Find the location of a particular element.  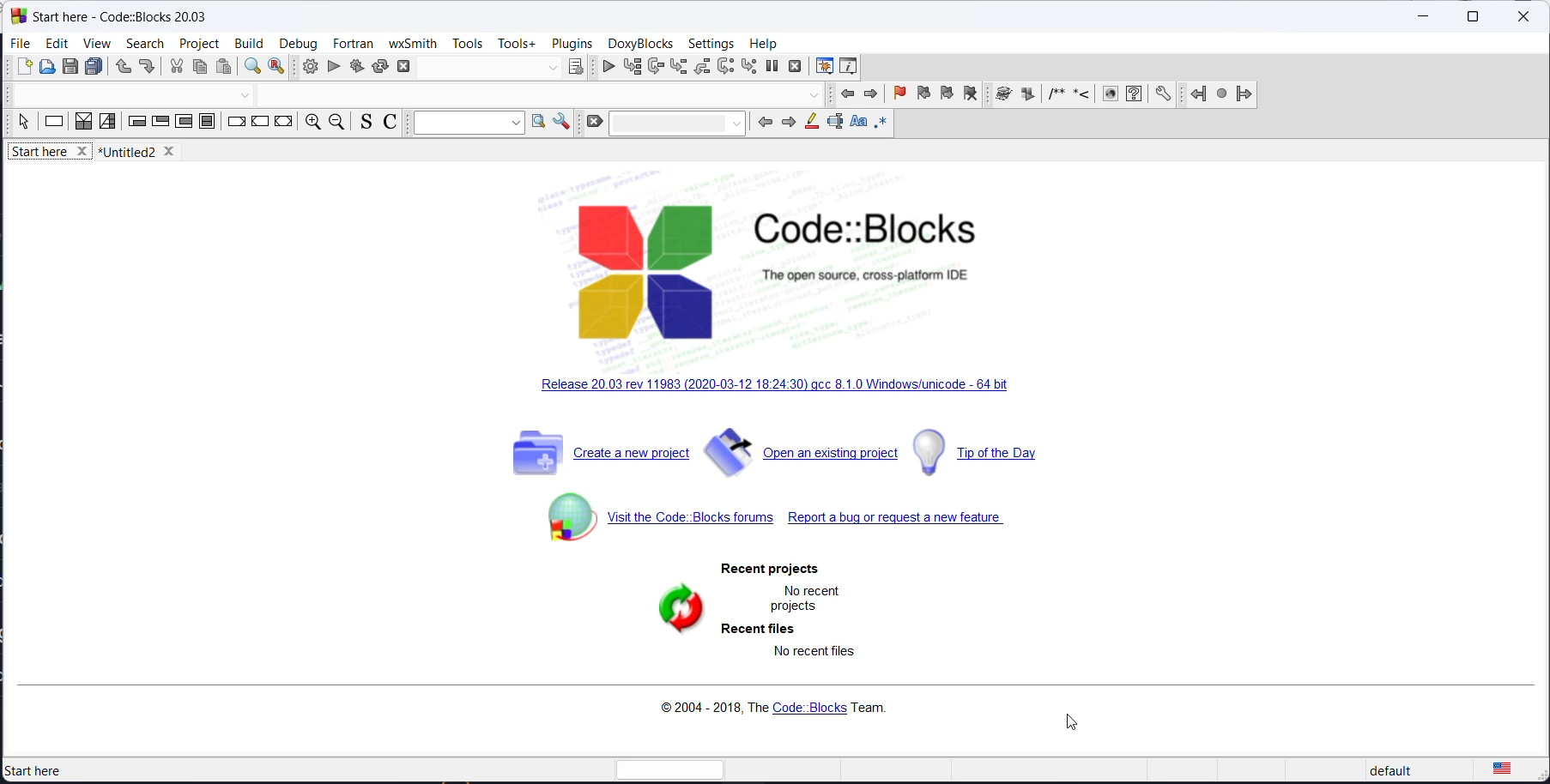

next instruction is located at coordinates (726, 66).